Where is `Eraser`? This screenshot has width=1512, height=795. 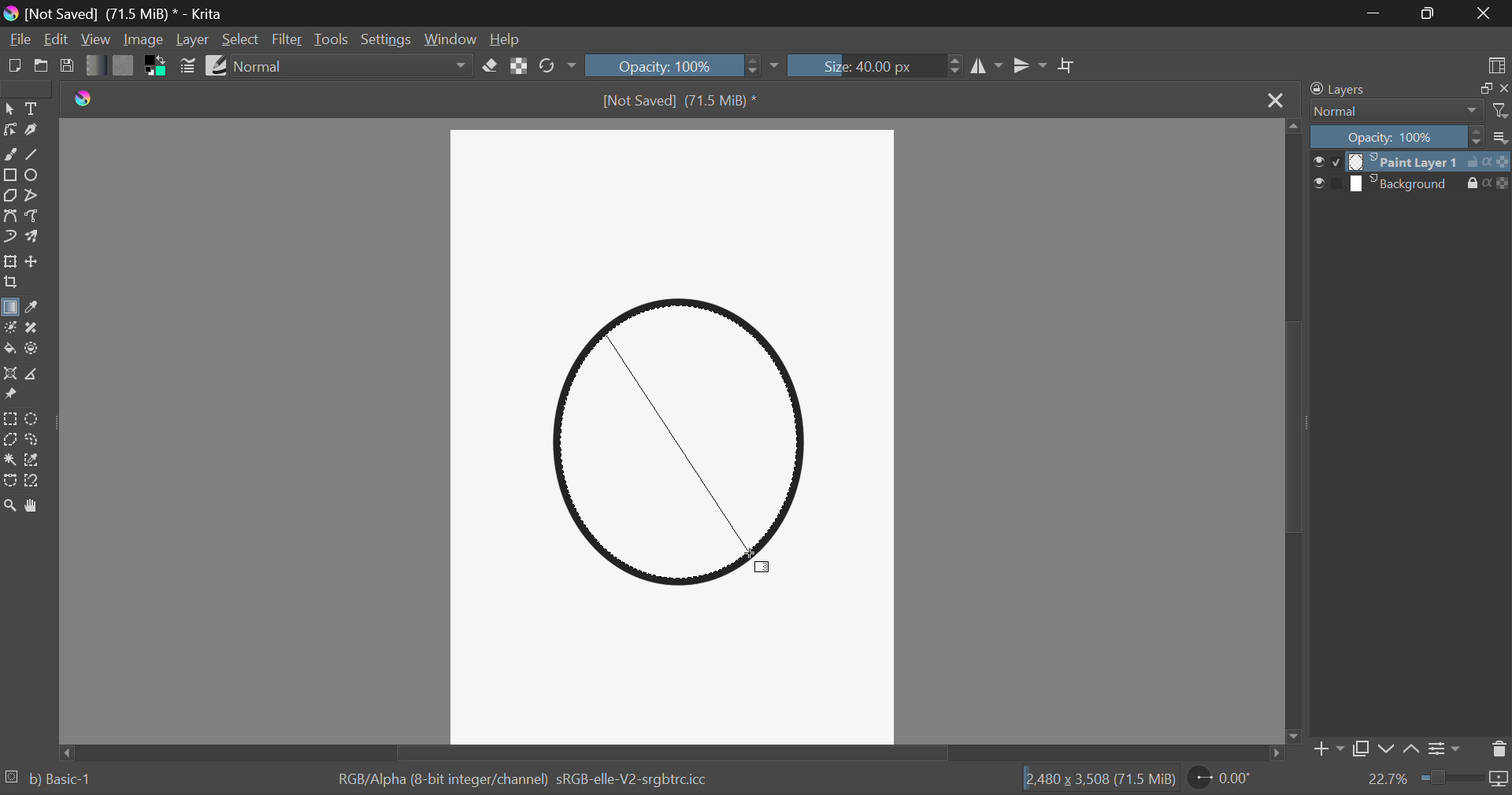 Eraser is located at coordinates (490, 66).